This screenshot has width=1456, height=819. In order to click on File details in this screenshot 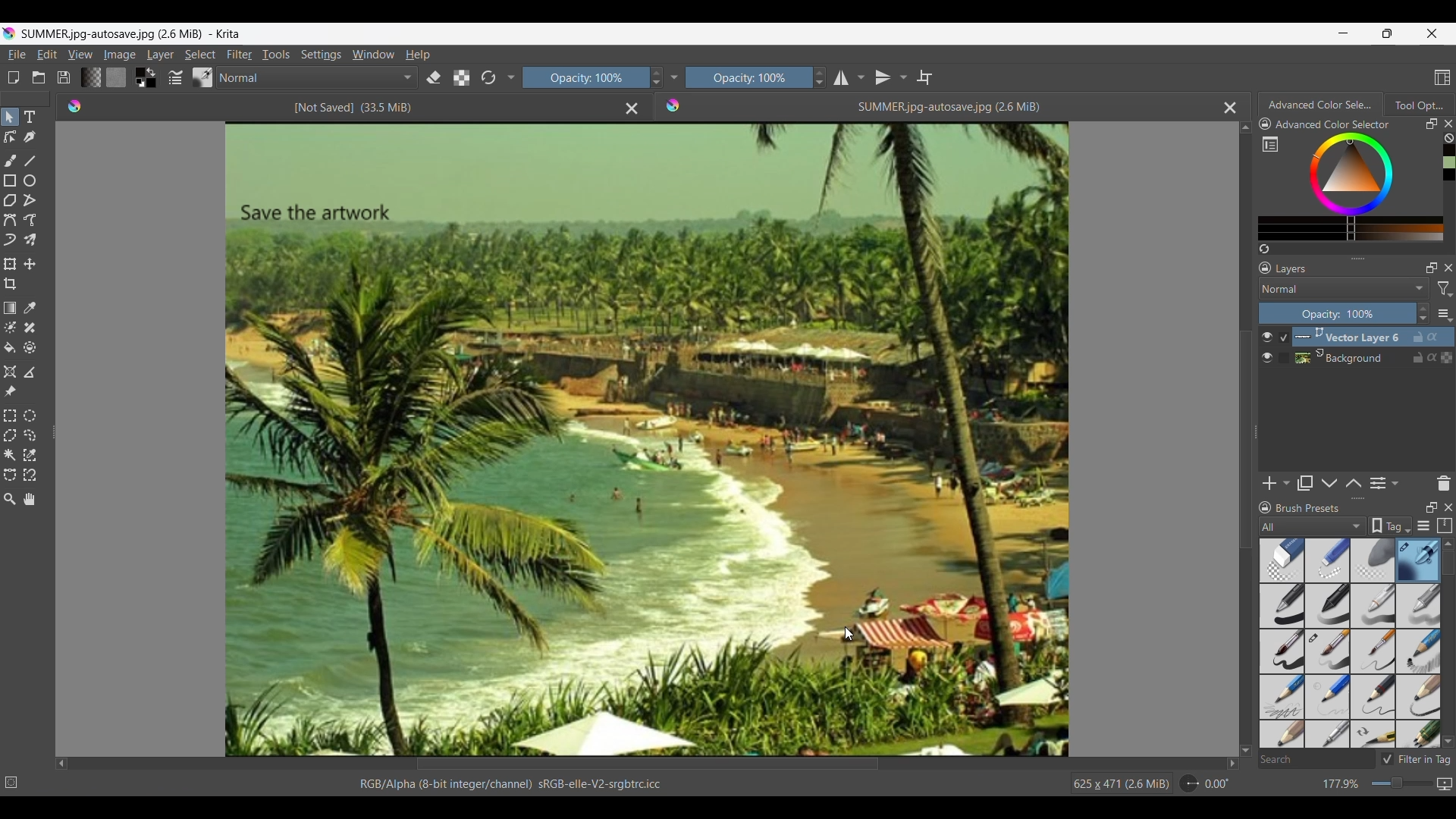, I will do `click(510, 784)`.